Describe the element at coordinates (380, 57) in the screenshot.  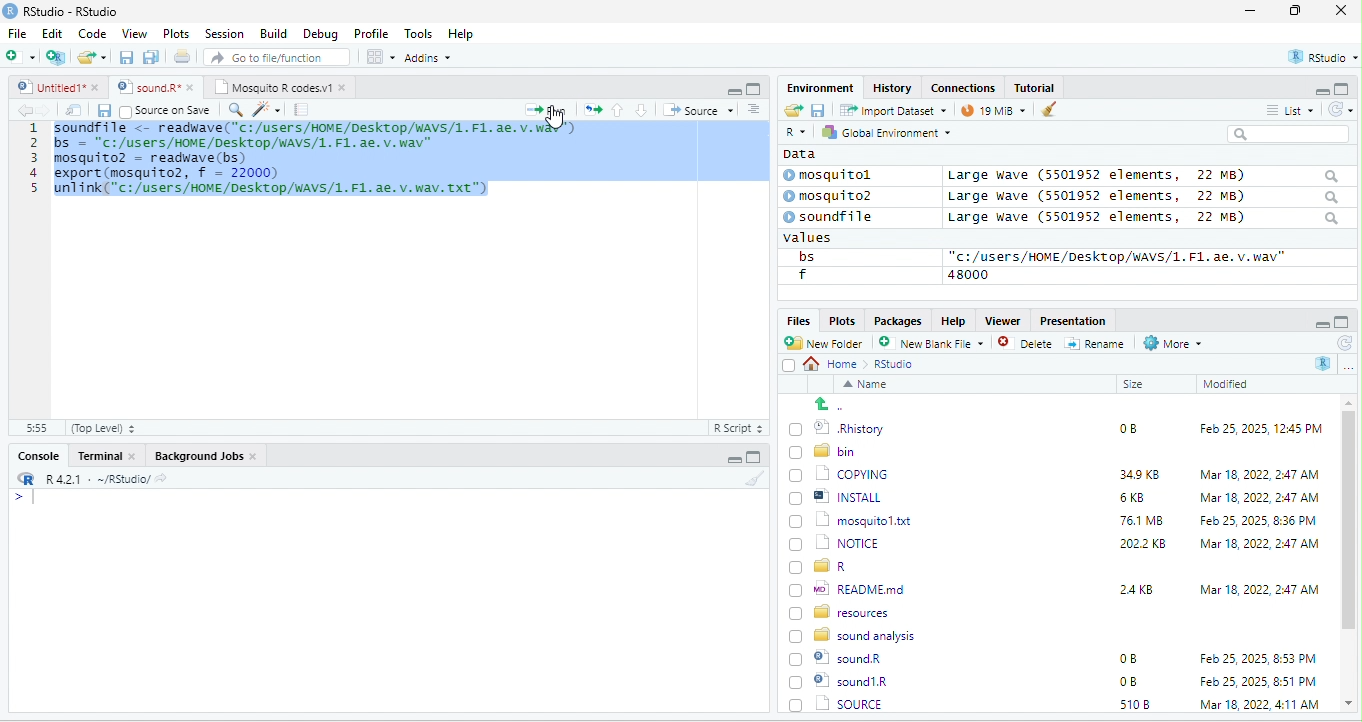
I see `view` at that location.